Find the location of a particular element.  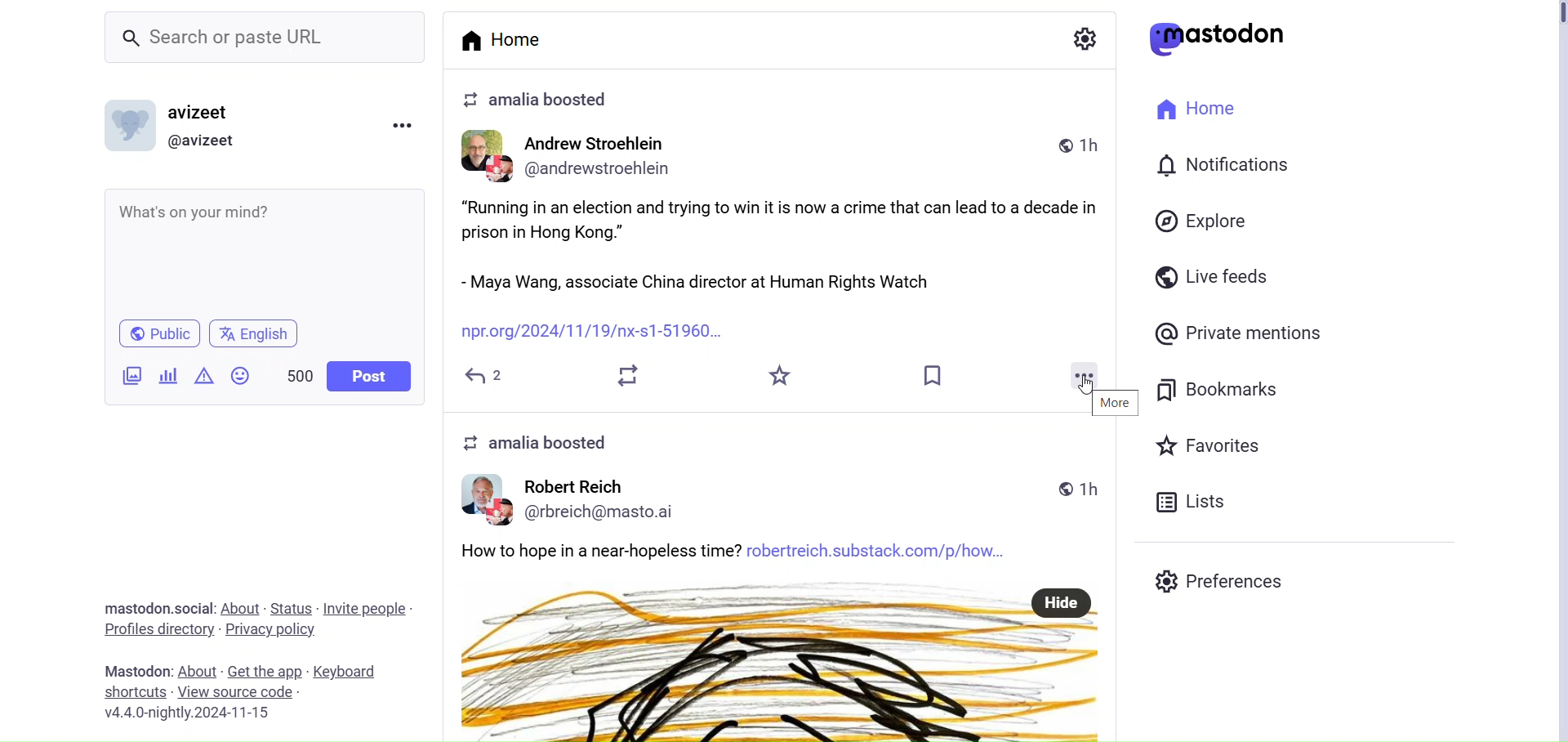

Post is located at coordinates (369, 376).